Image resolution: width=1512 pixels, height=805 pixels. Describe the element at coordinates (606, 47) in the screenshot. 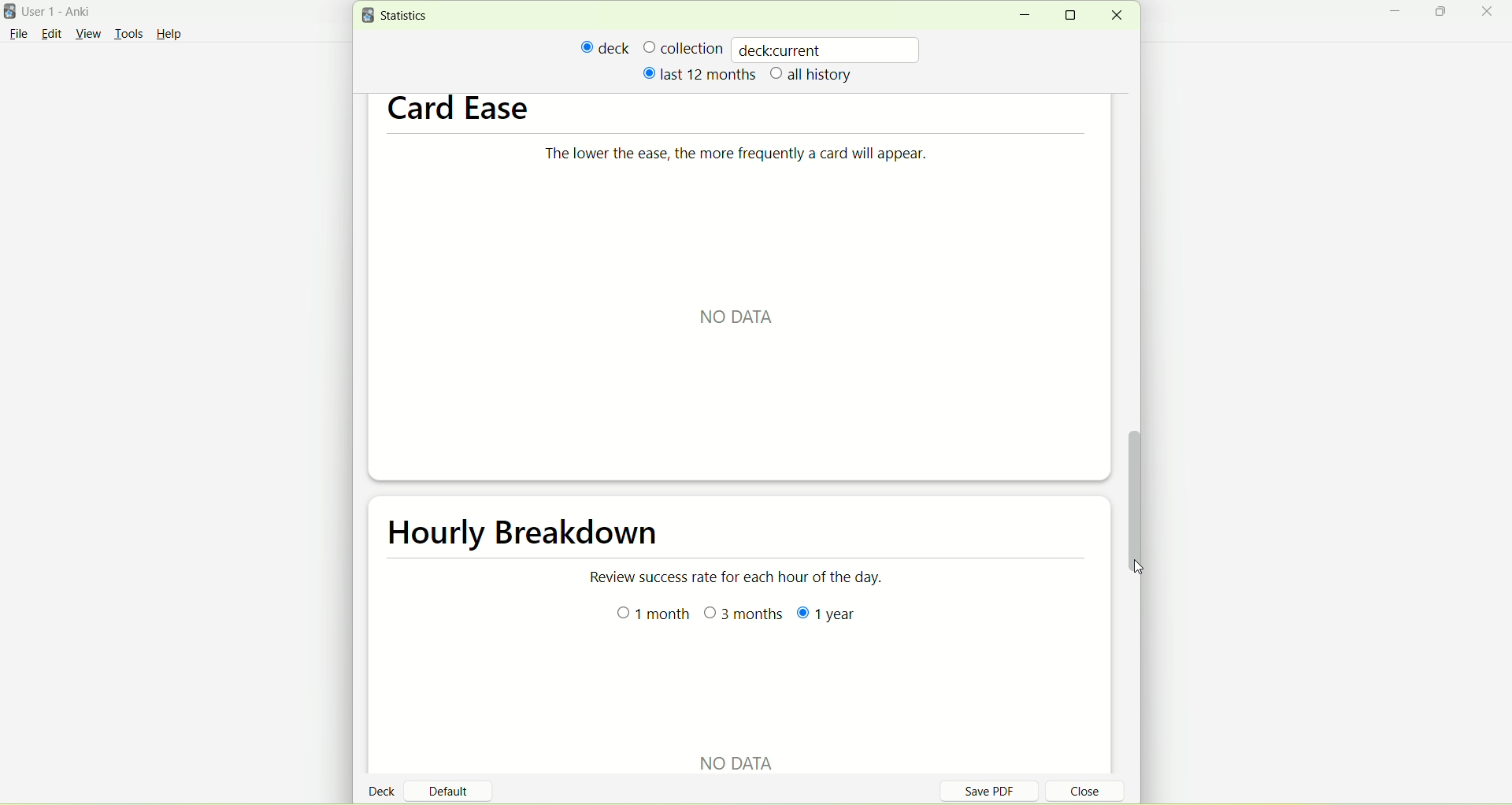

I see `deck` at that location.